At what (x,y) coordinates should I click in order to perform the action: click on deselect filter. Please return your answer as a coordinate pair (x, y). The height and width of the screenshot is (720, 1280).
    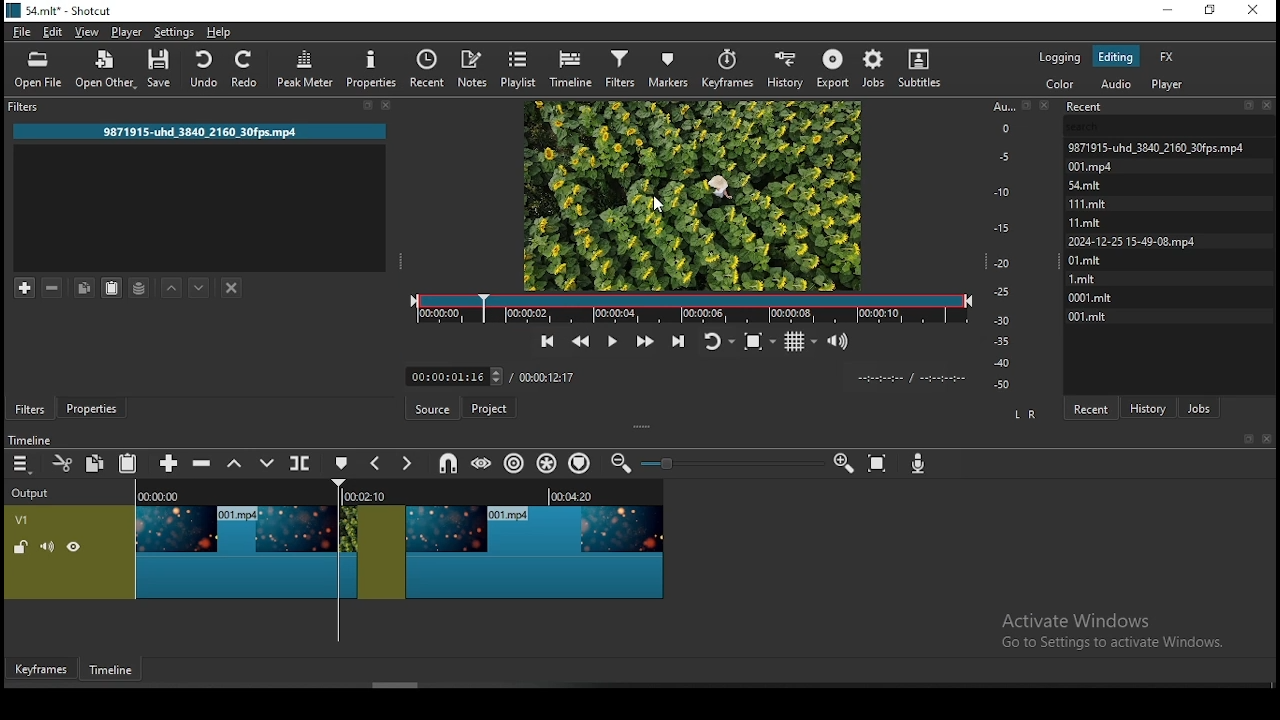
    Looking at the image, I should click on (233, 289).